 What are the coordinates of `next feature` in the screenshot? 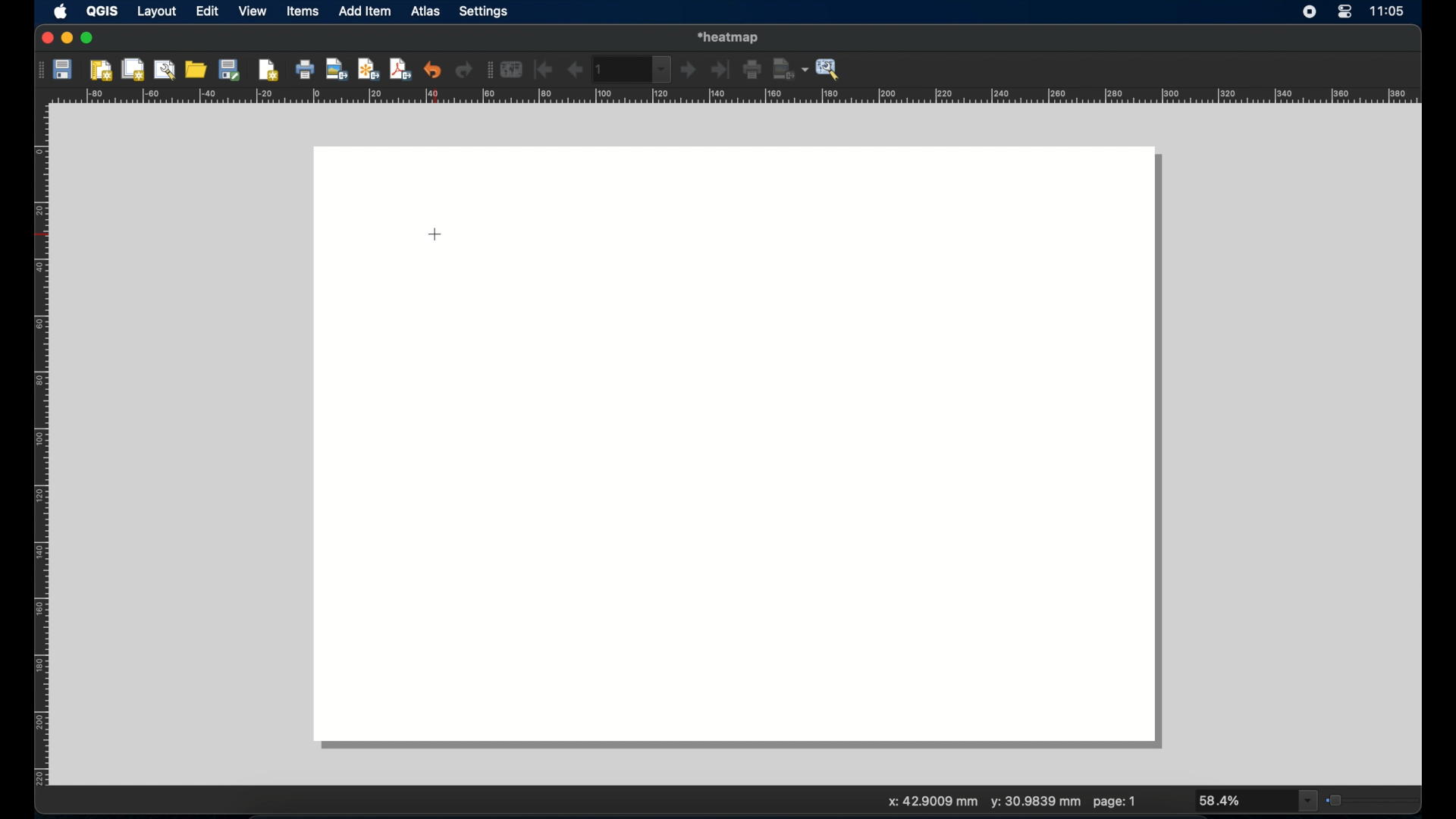 It's located at (689, 71).